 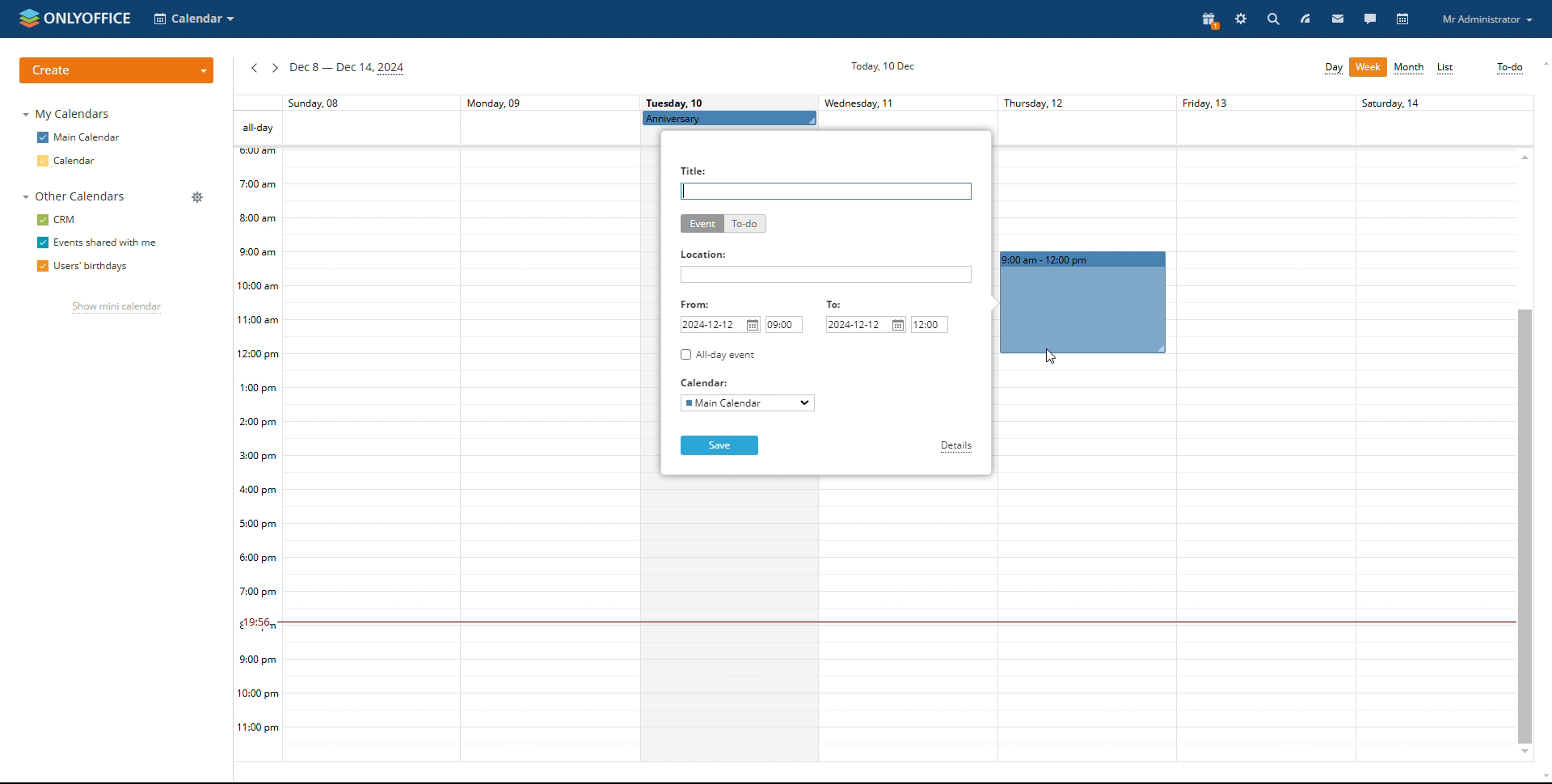 I want to click on friday, so click(x=1262, y=428).